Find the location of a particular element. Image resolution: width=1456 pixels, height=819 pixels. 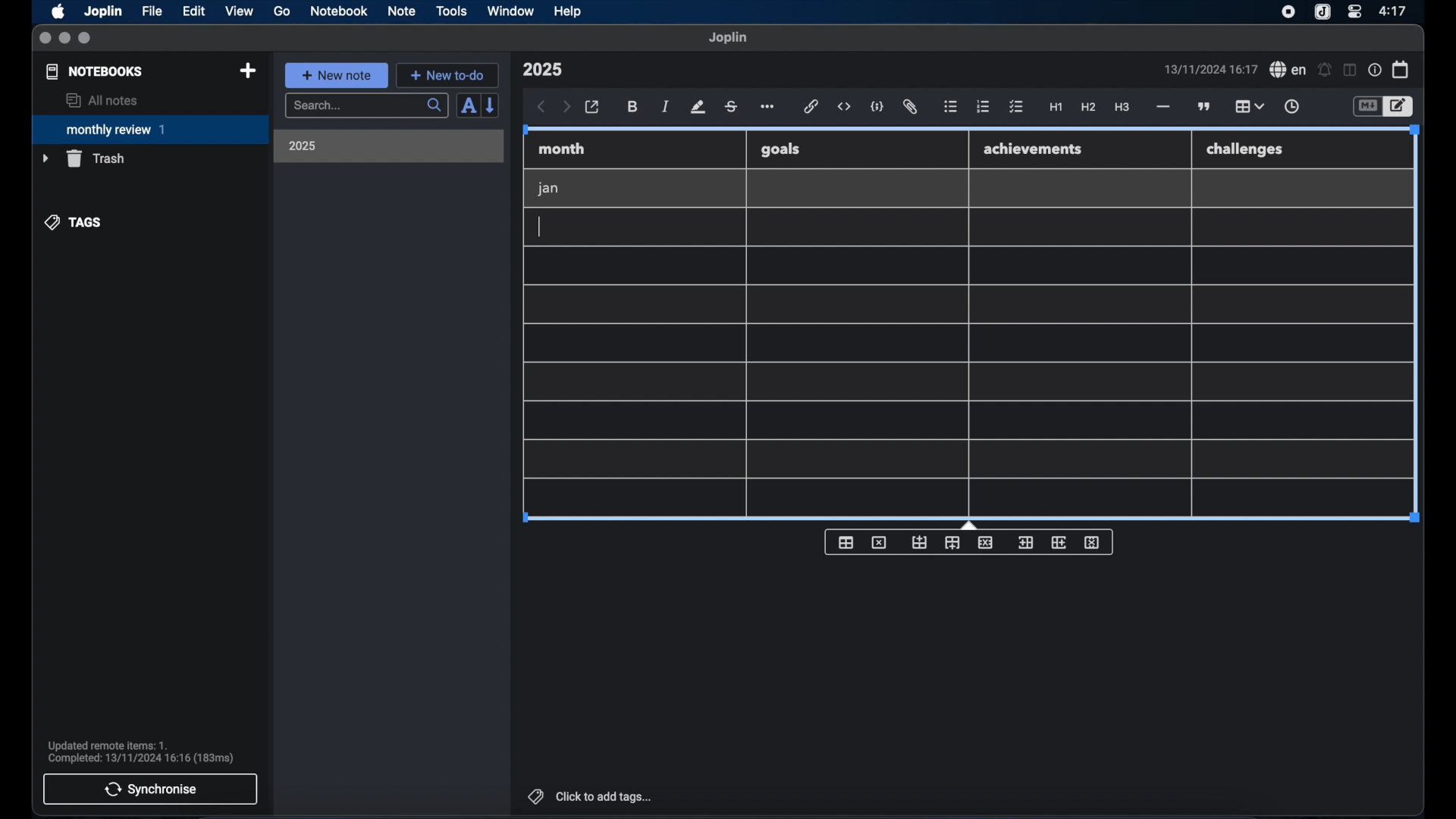

text cursor is located at coordinates (541, 226).